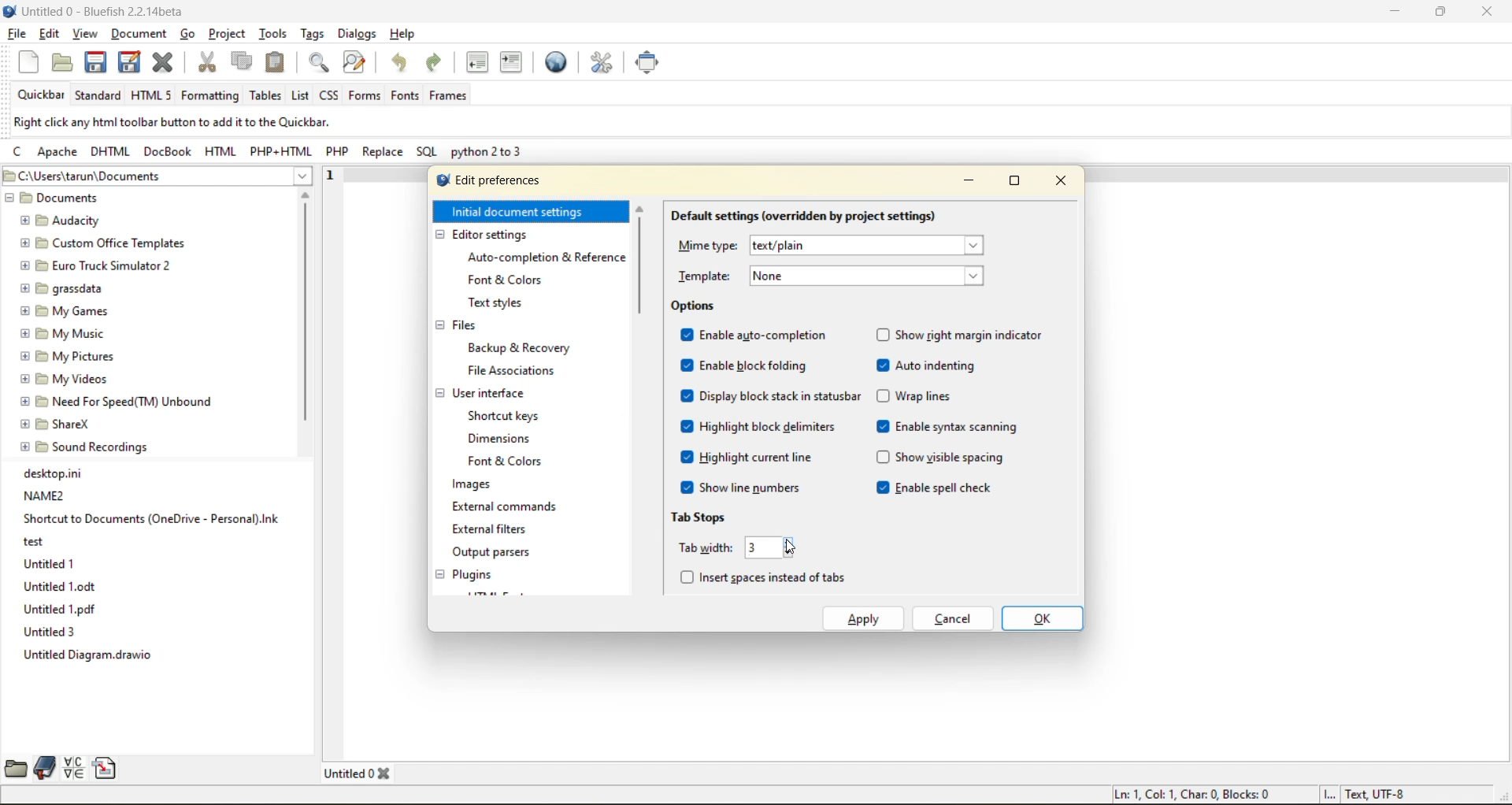 This screenshot has height=805, width=1512. What do you see at coordinates (193, 36) in the screenshot?
I see `go` at bounding box center [193, 36].